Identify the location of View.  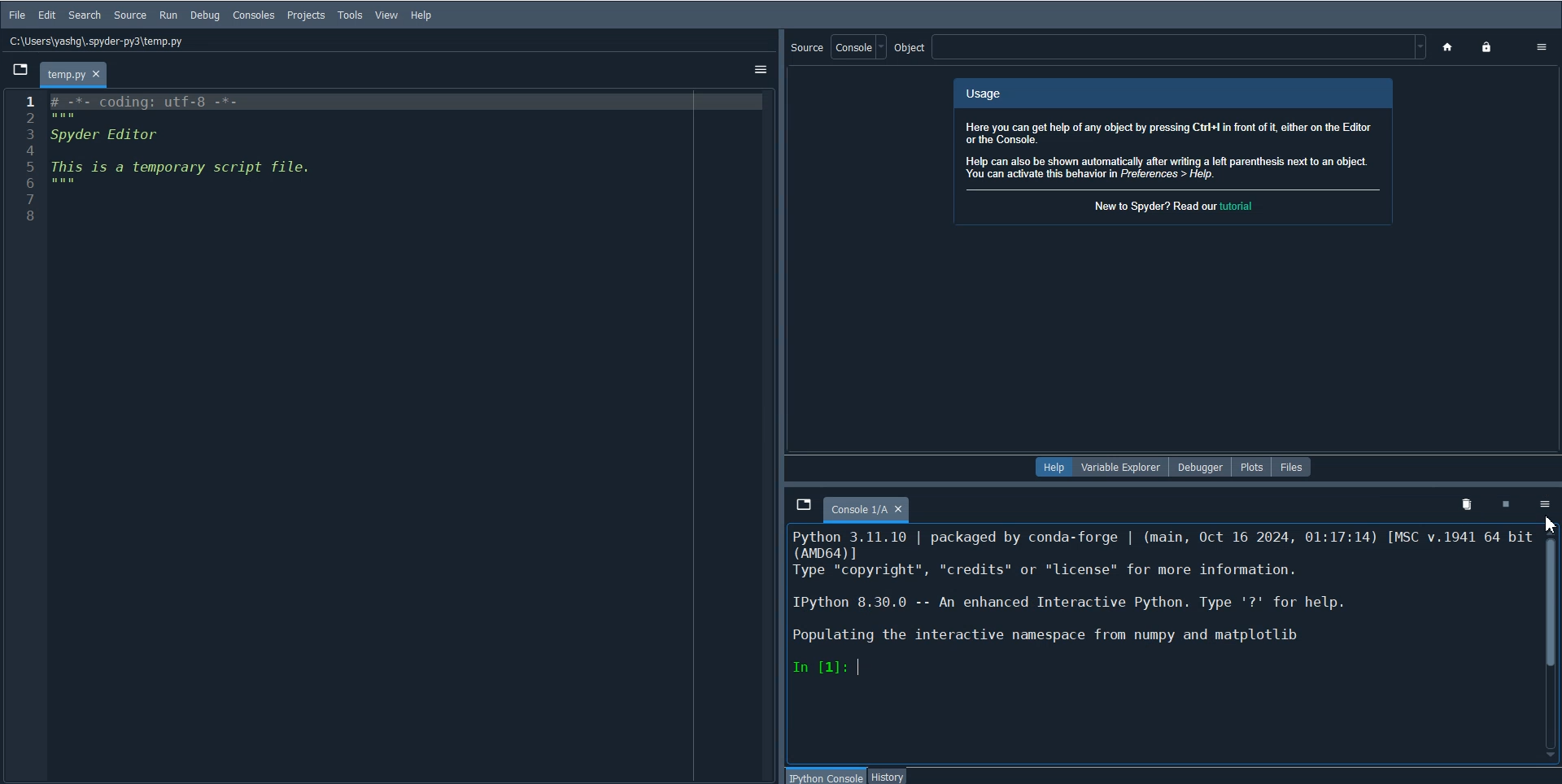
(387, 15).